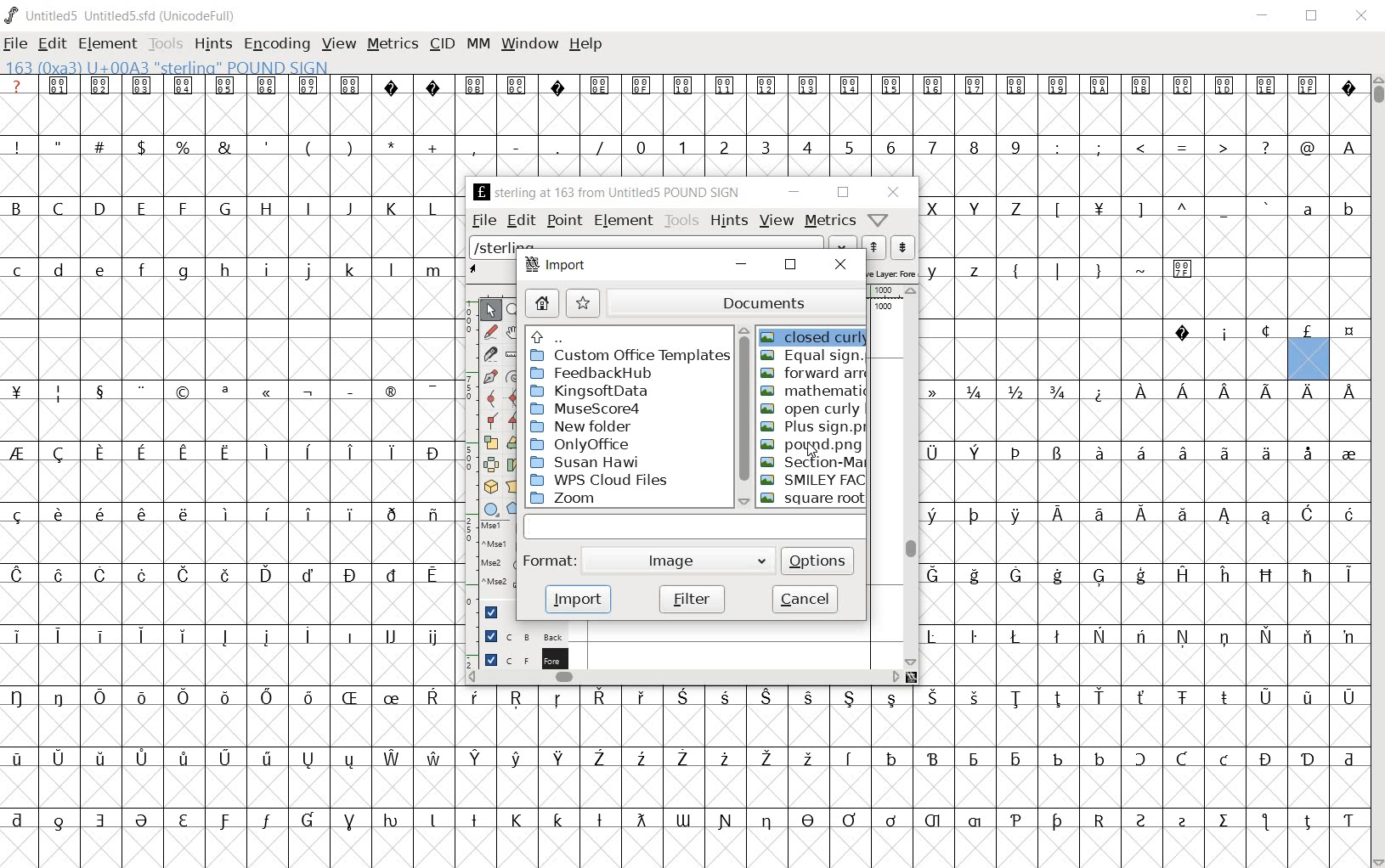  I want to click on view, so click(777, 221).